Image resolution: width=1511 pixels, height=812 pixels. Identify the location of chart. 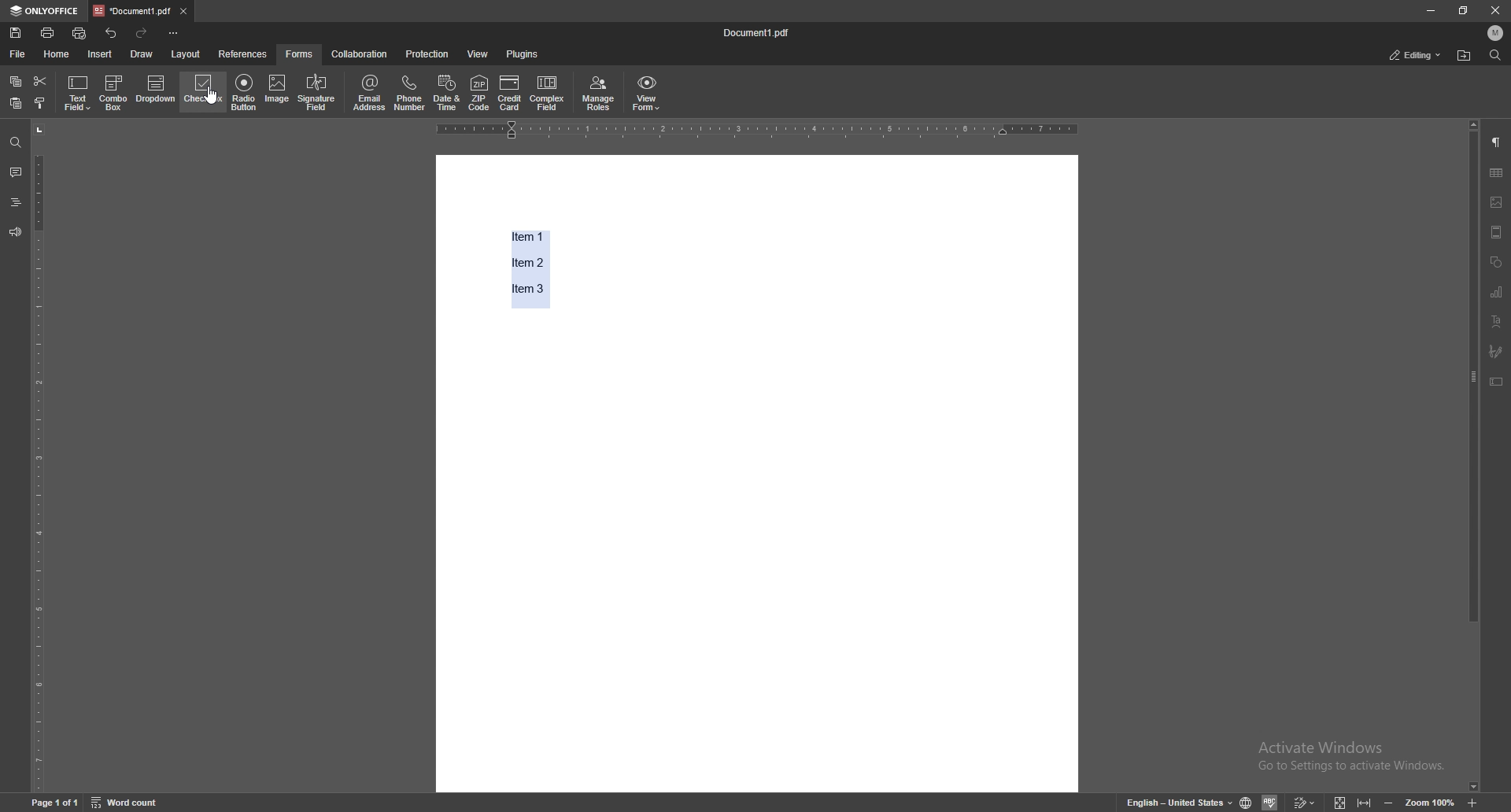
(1498, 292).